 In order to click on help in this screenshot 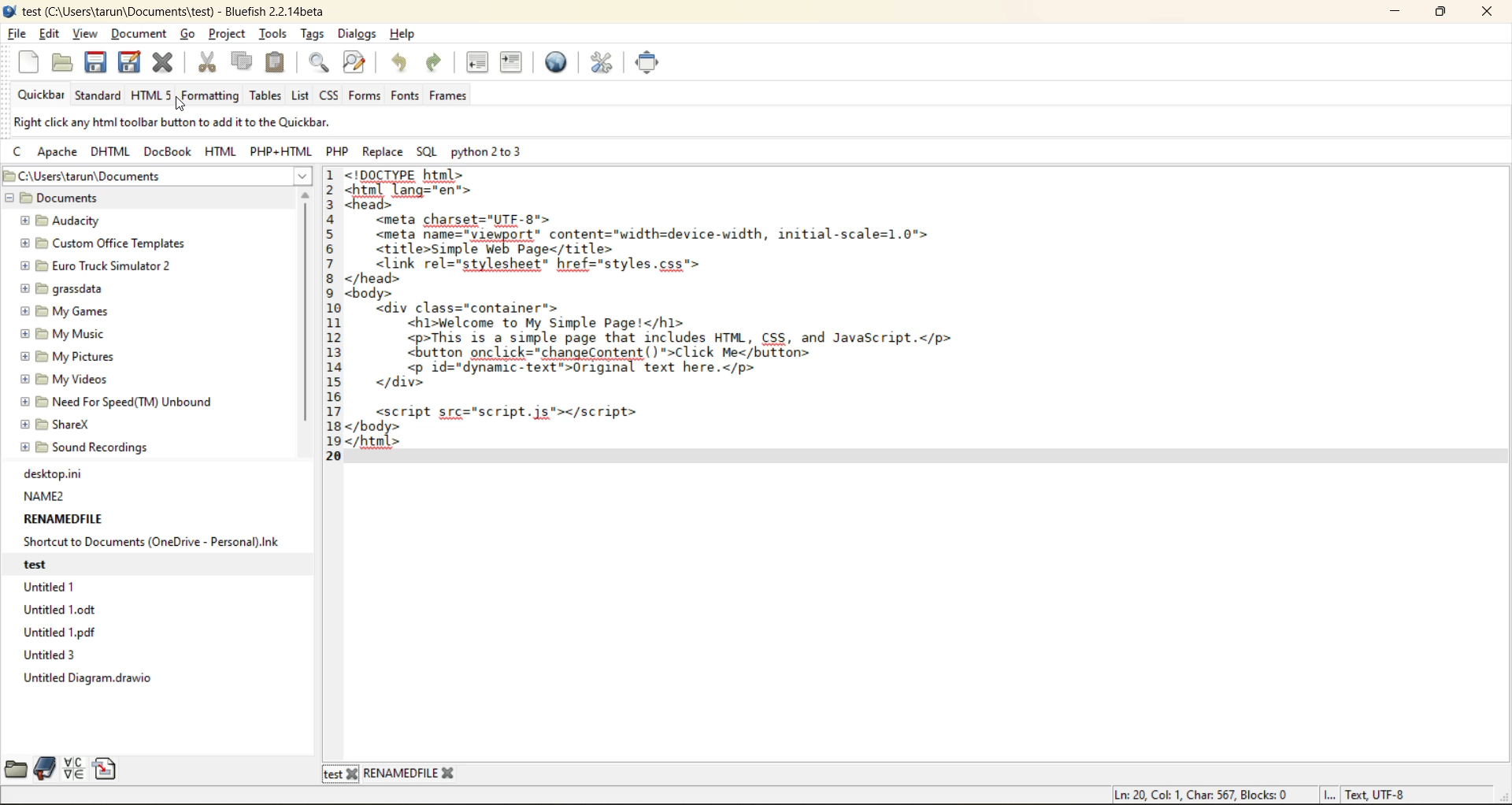, I will do `click(404, 35)`.